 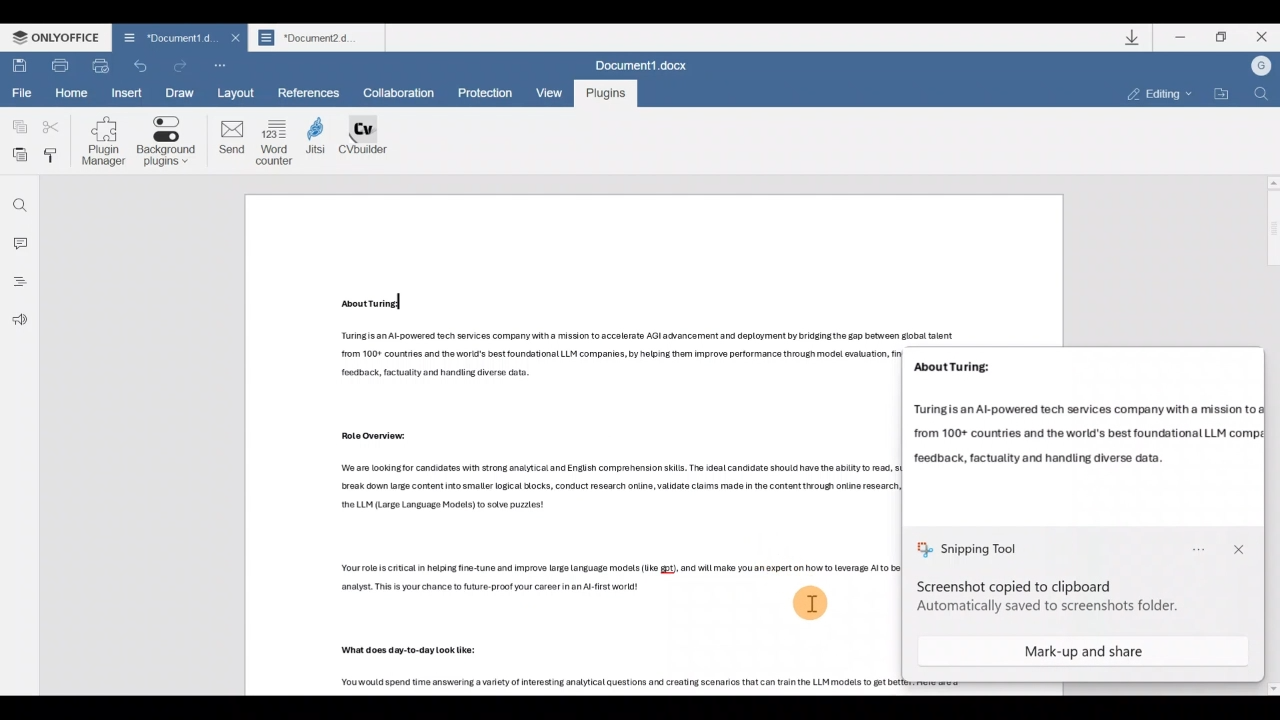 I want to click on Undo, so click(x=181, y=62).